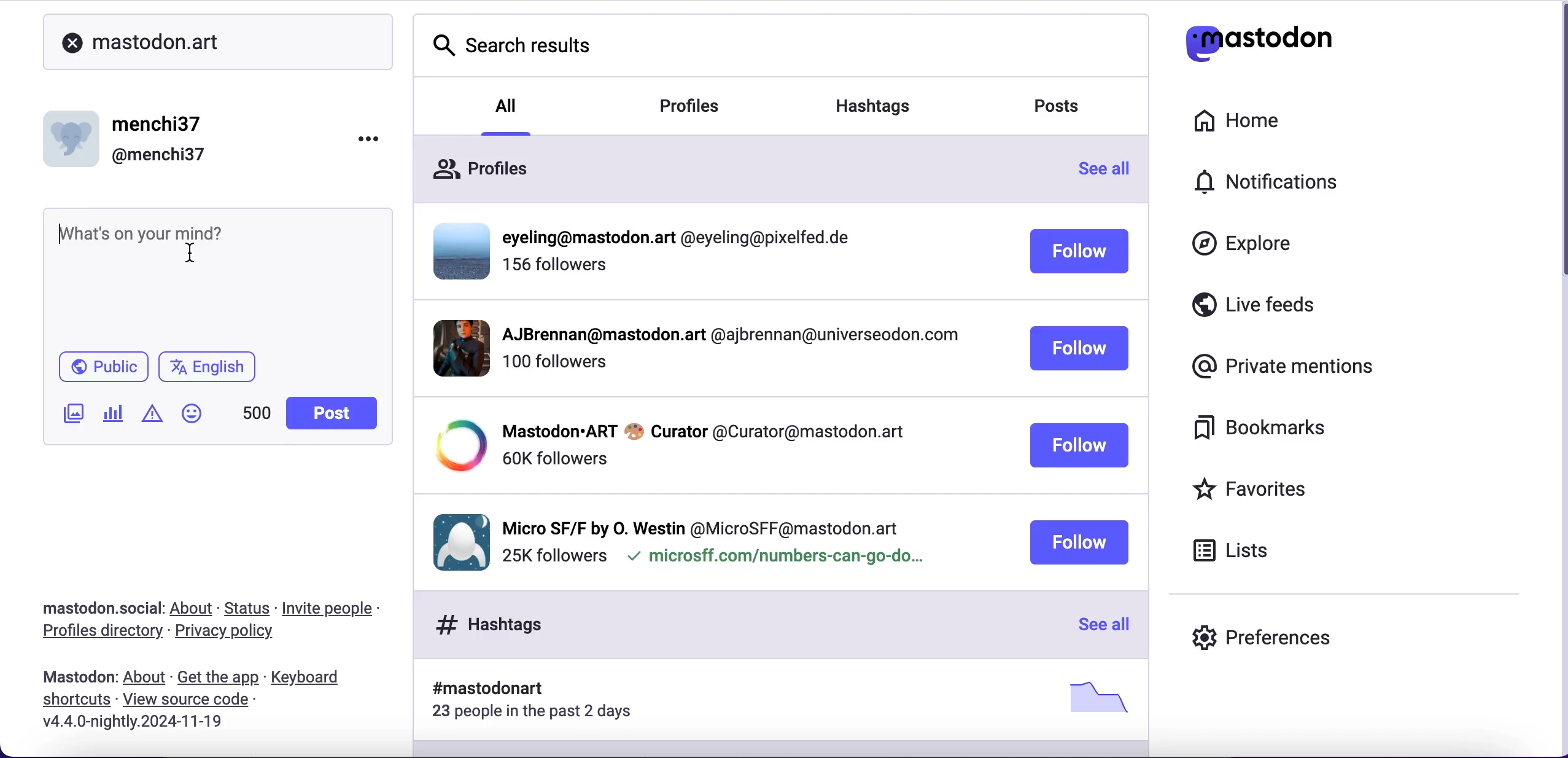  Describe the element at coordinates (101, 635) in the screenshot. I see `profiles directory` at that location.